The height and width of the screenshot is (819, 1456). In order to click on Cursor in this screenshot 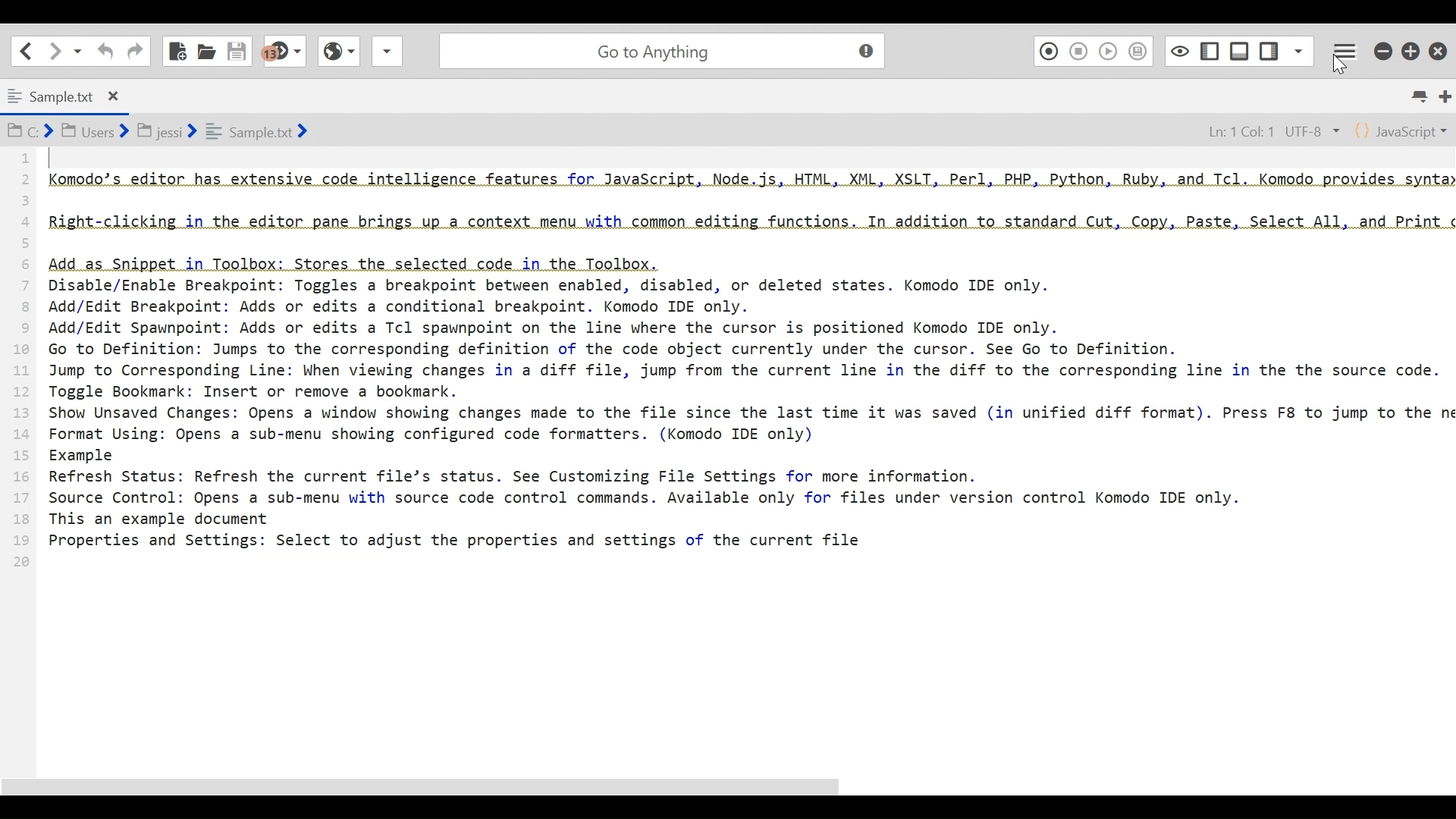, I will do `click(1338, 63)`.